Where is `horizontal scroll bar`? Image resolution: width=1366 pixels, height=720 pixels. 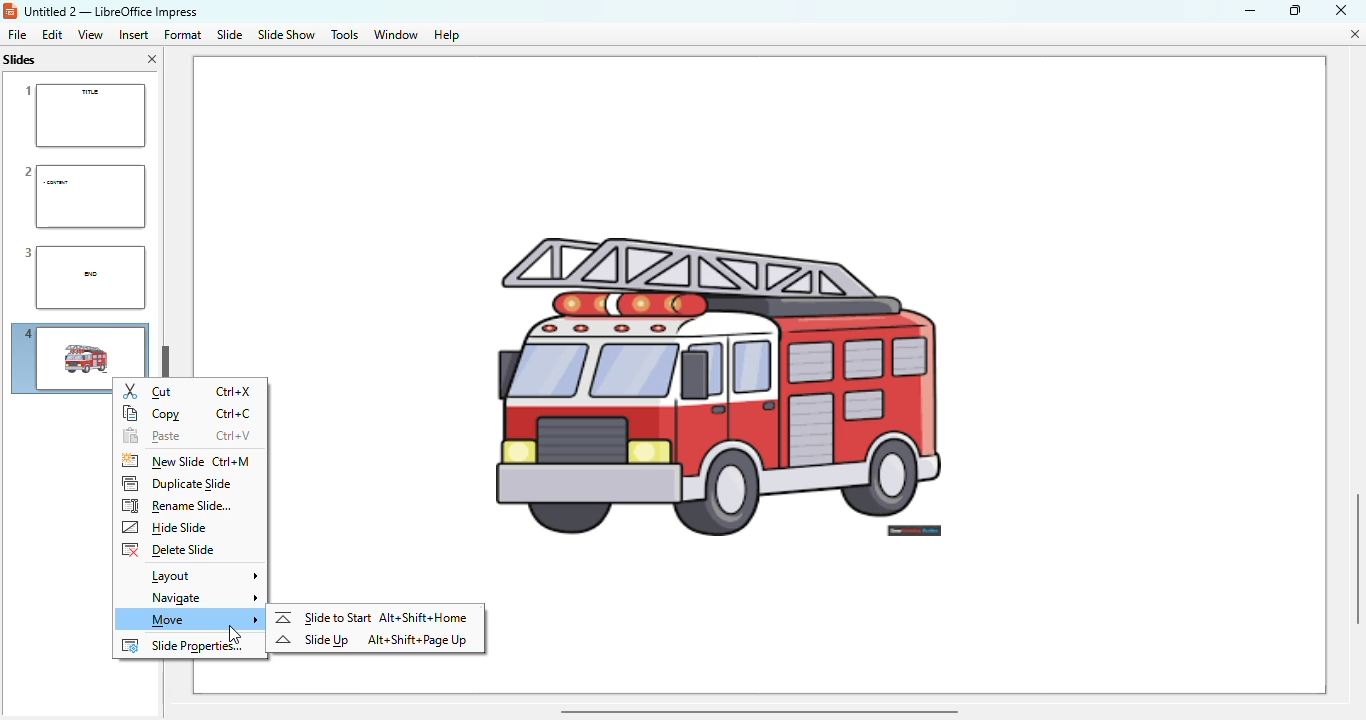
horizontal scroll bar is located at coordinates (758, 710).